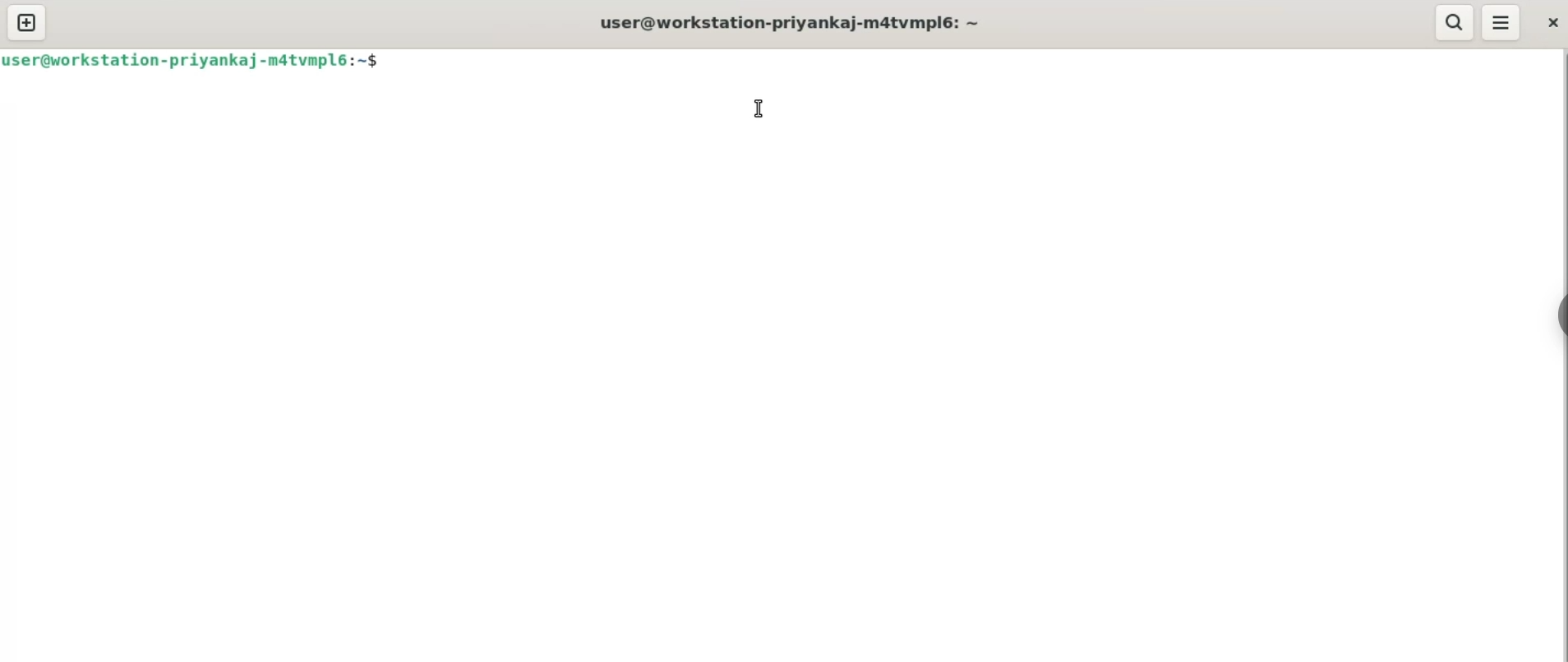 Image resolution: width=1568 pixels, height=662 pixels. What do you see at coordinates (760, 108) in the screenshot?
I see `cursor` at bounding box center [760, 108].